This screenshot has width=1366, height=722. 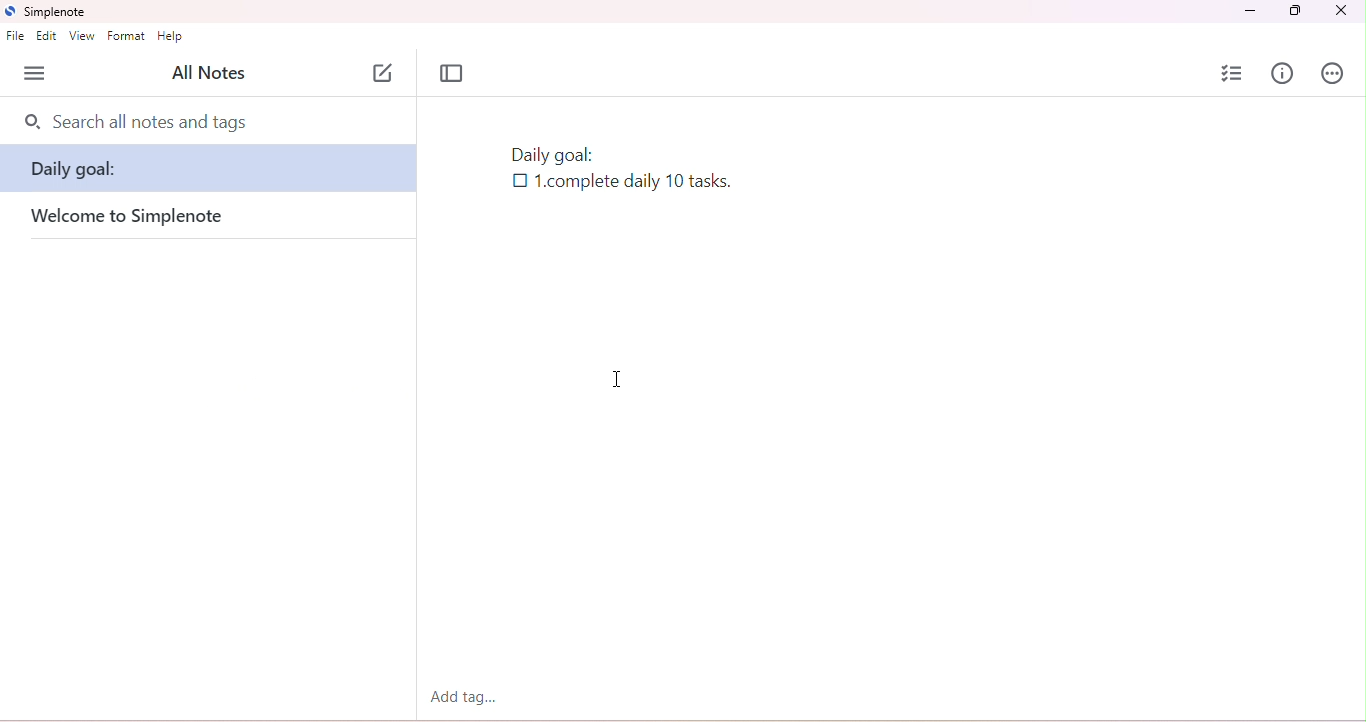 What do you see at coordinates (171, 37) in the screenshot?
I see `help` at bounding box center [171, 37].